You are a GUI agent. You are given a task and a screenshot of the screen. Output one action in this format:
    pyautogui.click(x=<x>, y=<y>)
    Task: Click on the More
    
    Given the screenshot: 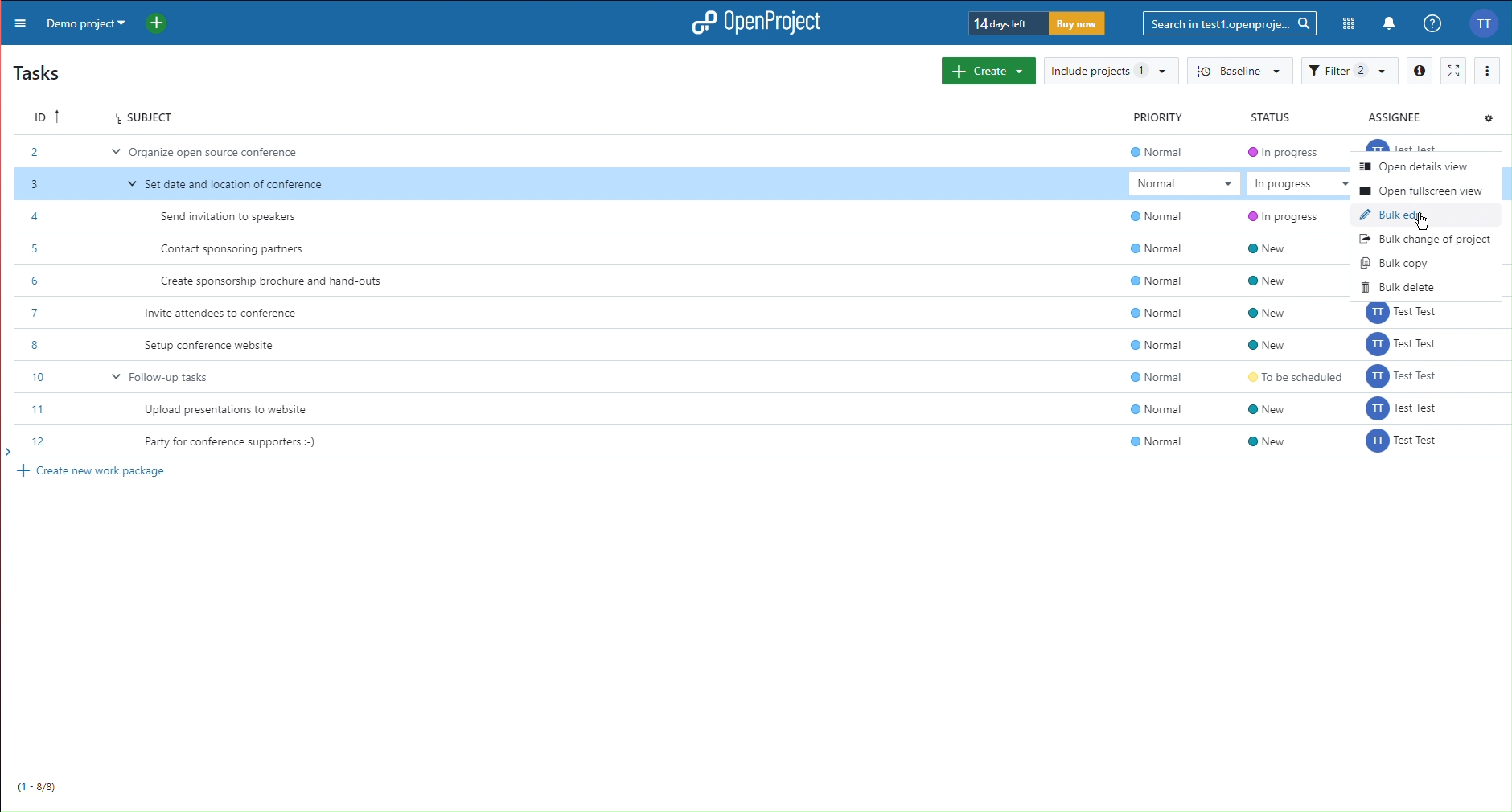 What is the action you would take?
    pyautogui.click(x=1489, y=70)
    